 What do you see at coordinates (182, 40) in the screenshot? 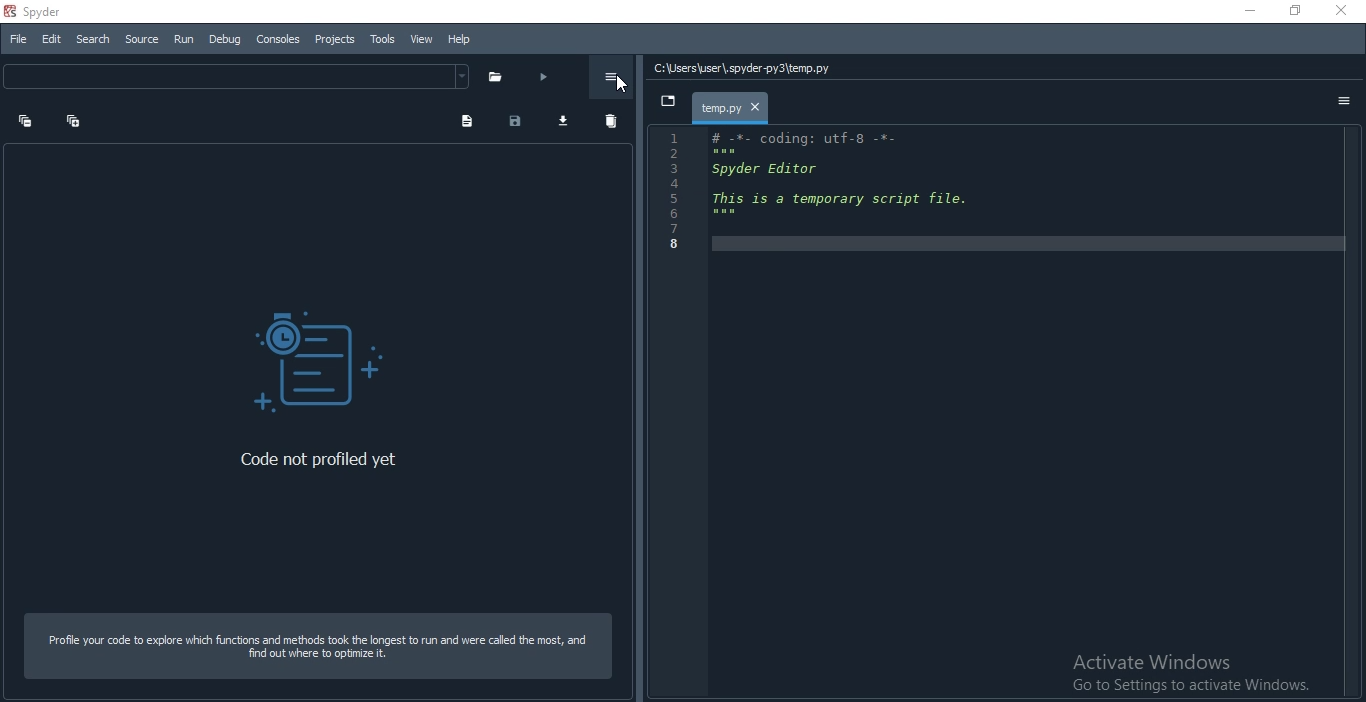
I see `Run` at bounding box center [182, 40].